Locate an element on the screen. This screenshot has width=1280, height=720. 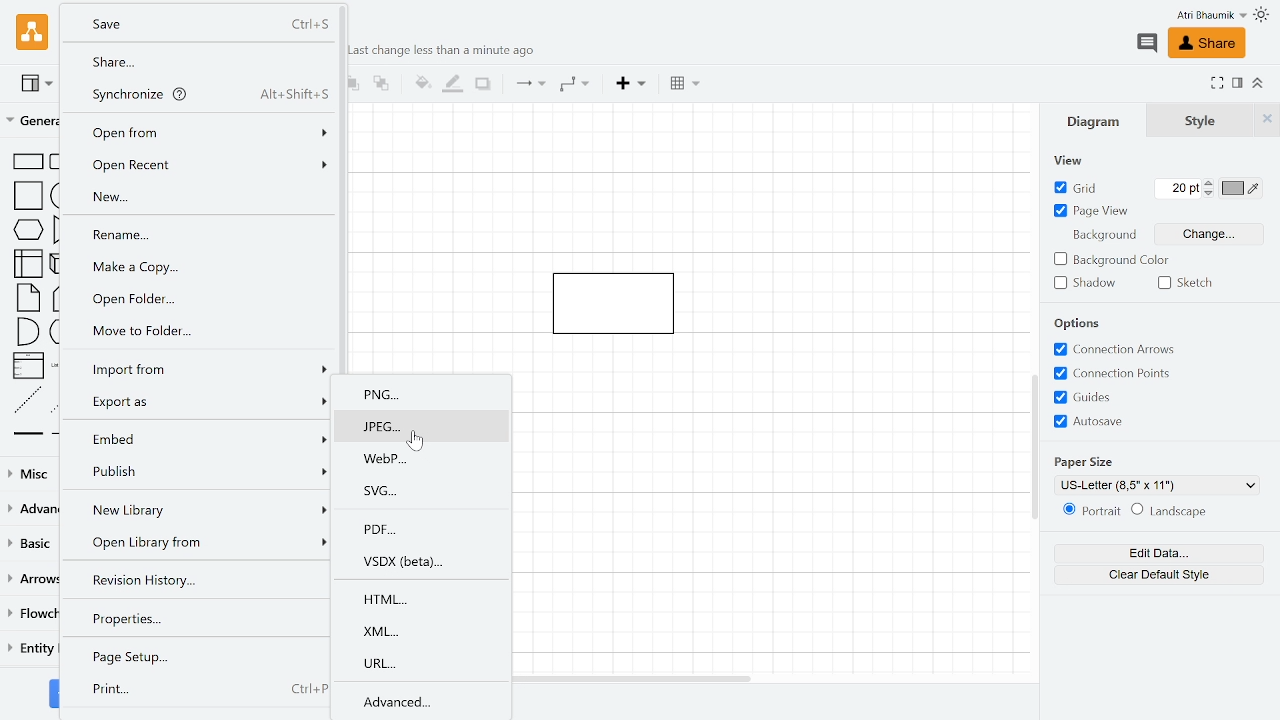
Current paper size is located at coordinates (1160, 485).